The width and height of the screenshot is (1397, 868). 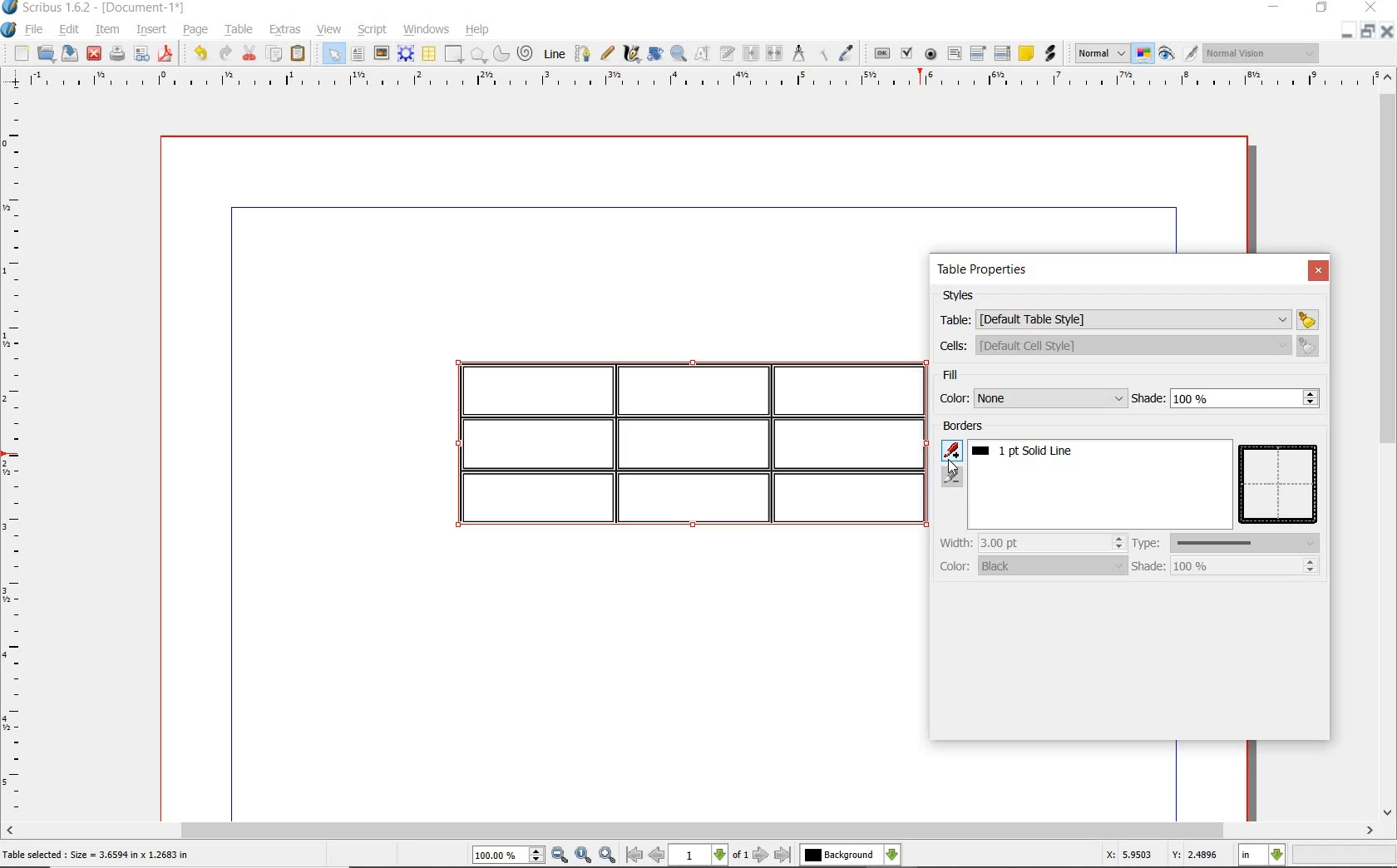 I want to click on pdf check box, so click(x=908, y=55).